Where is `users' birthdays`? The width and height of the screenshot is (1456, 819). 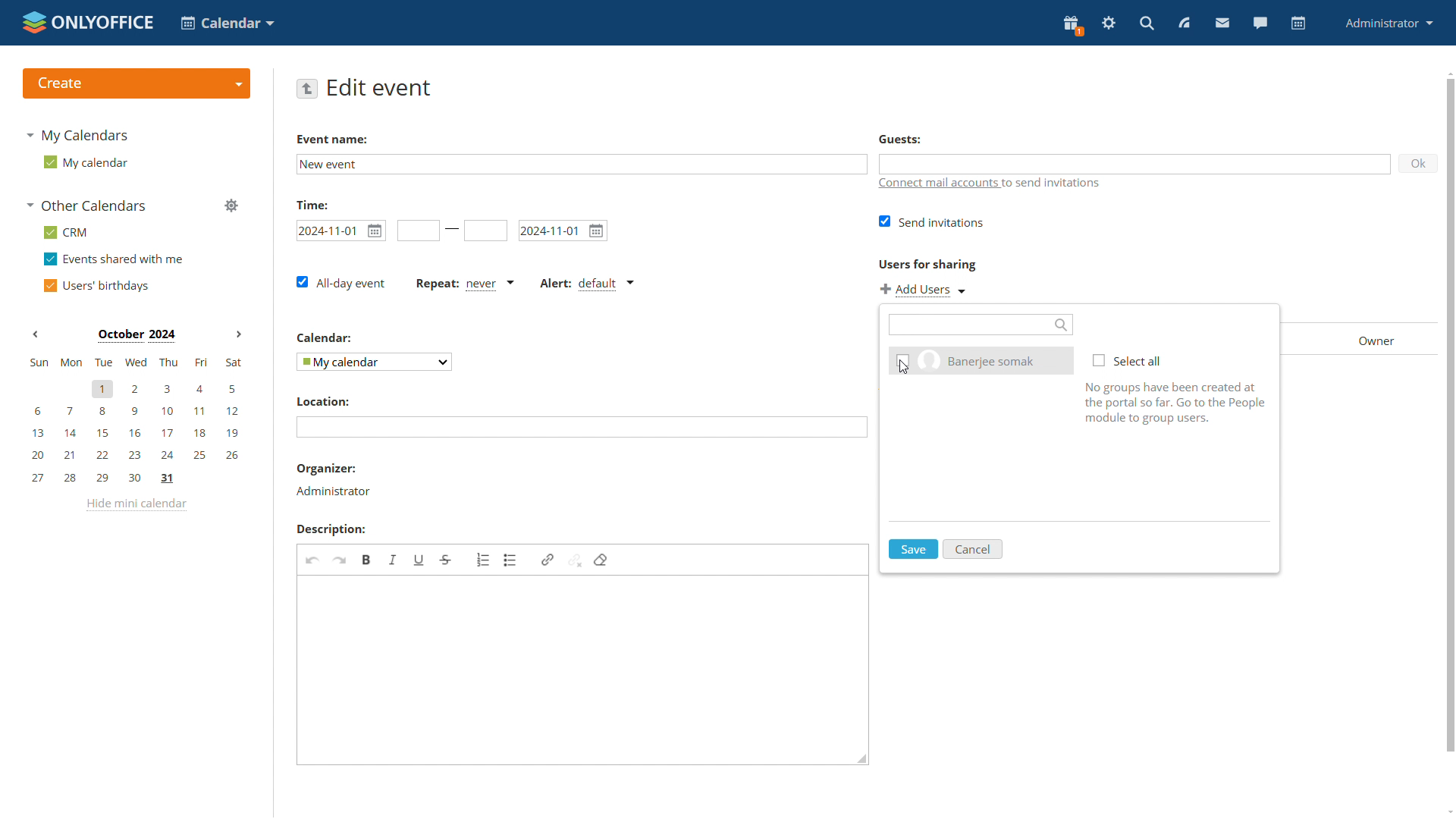
users' birthdays is located at coordinates (100, 285).